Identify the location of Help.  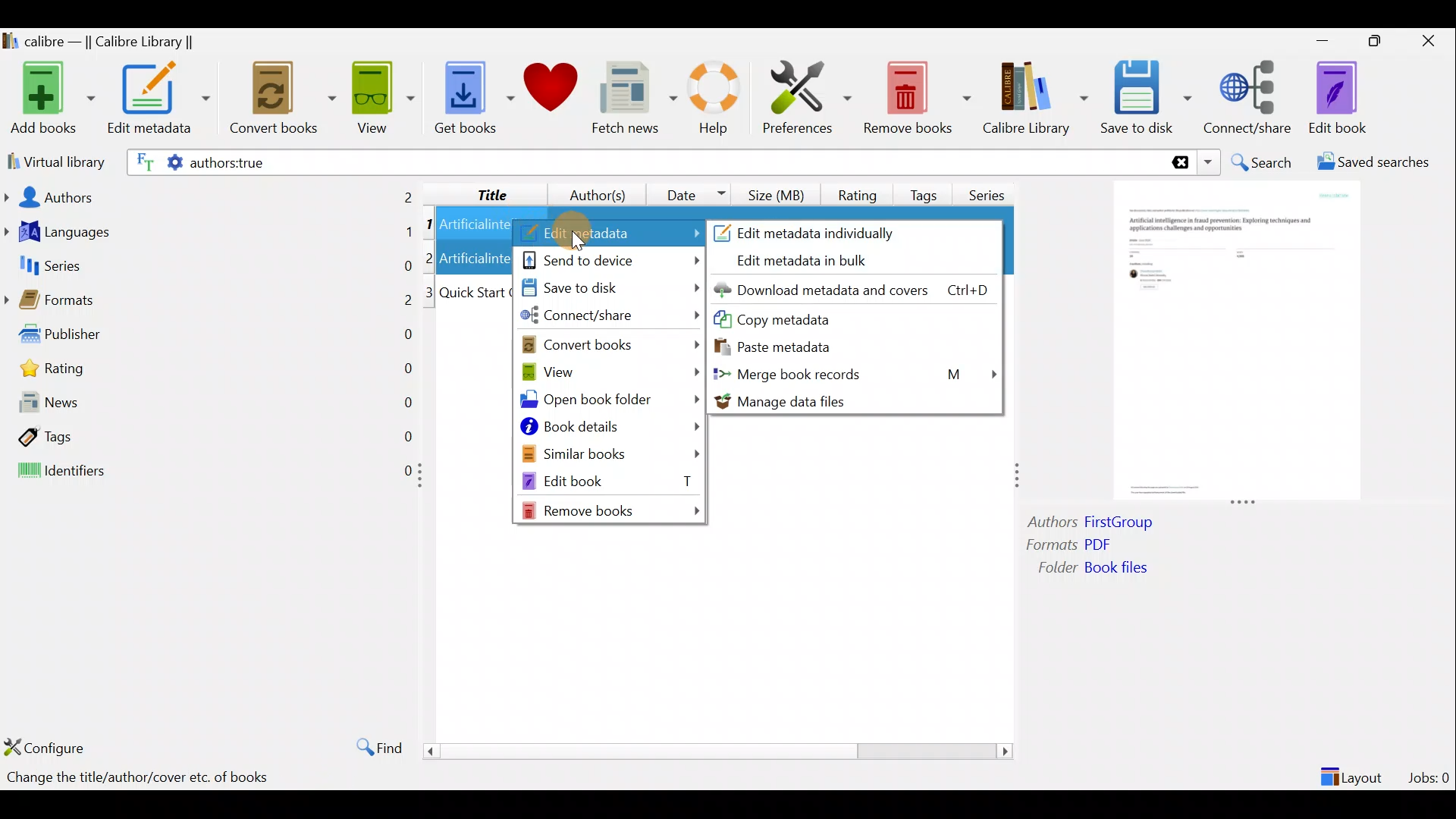
(711, 100).